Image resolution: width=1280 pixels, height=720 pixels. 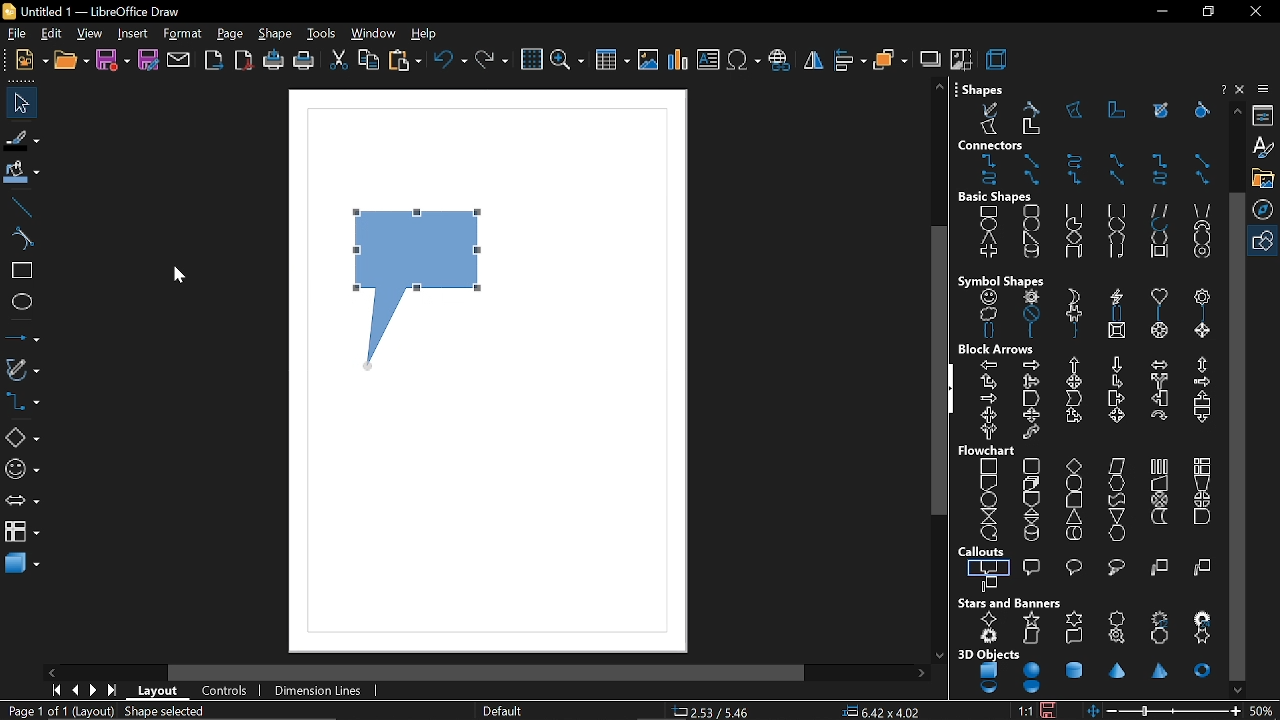 What do you see at coordinates (1160, 210) in the screenshot?
I see `parallelogram` at bounding box center [1160, 210].